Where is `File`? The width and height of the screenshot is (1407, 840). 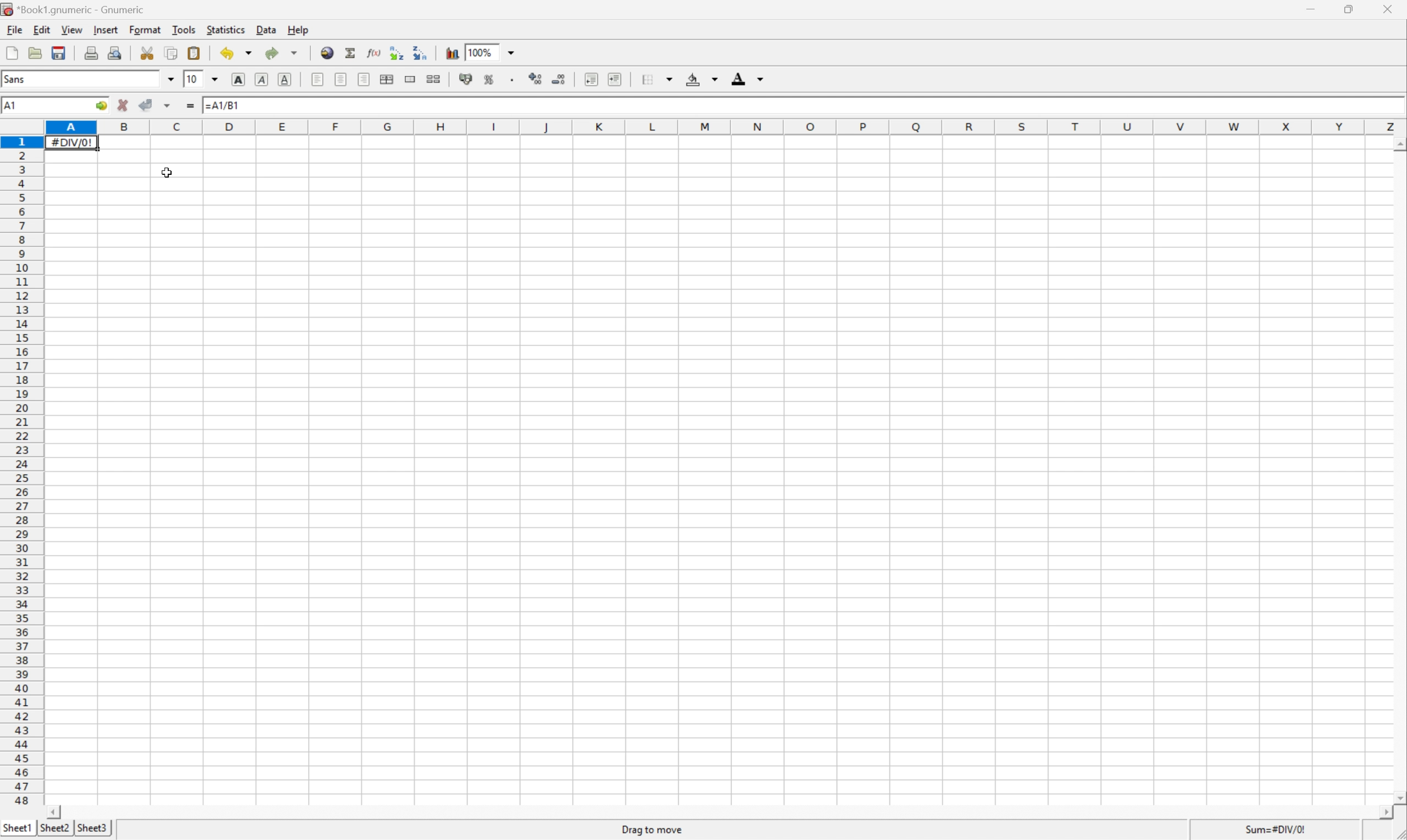
File is located at coordinates (15, 30).